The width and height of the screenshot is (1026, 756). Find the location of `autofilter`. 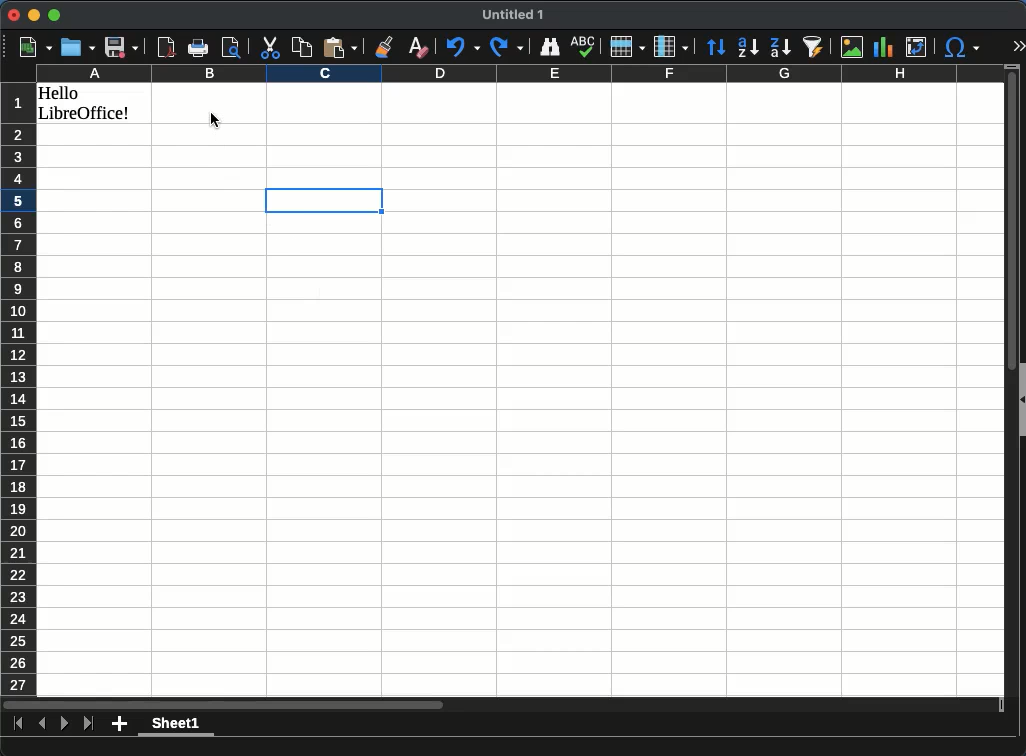

autofilter is located at coordinates (810, 44).